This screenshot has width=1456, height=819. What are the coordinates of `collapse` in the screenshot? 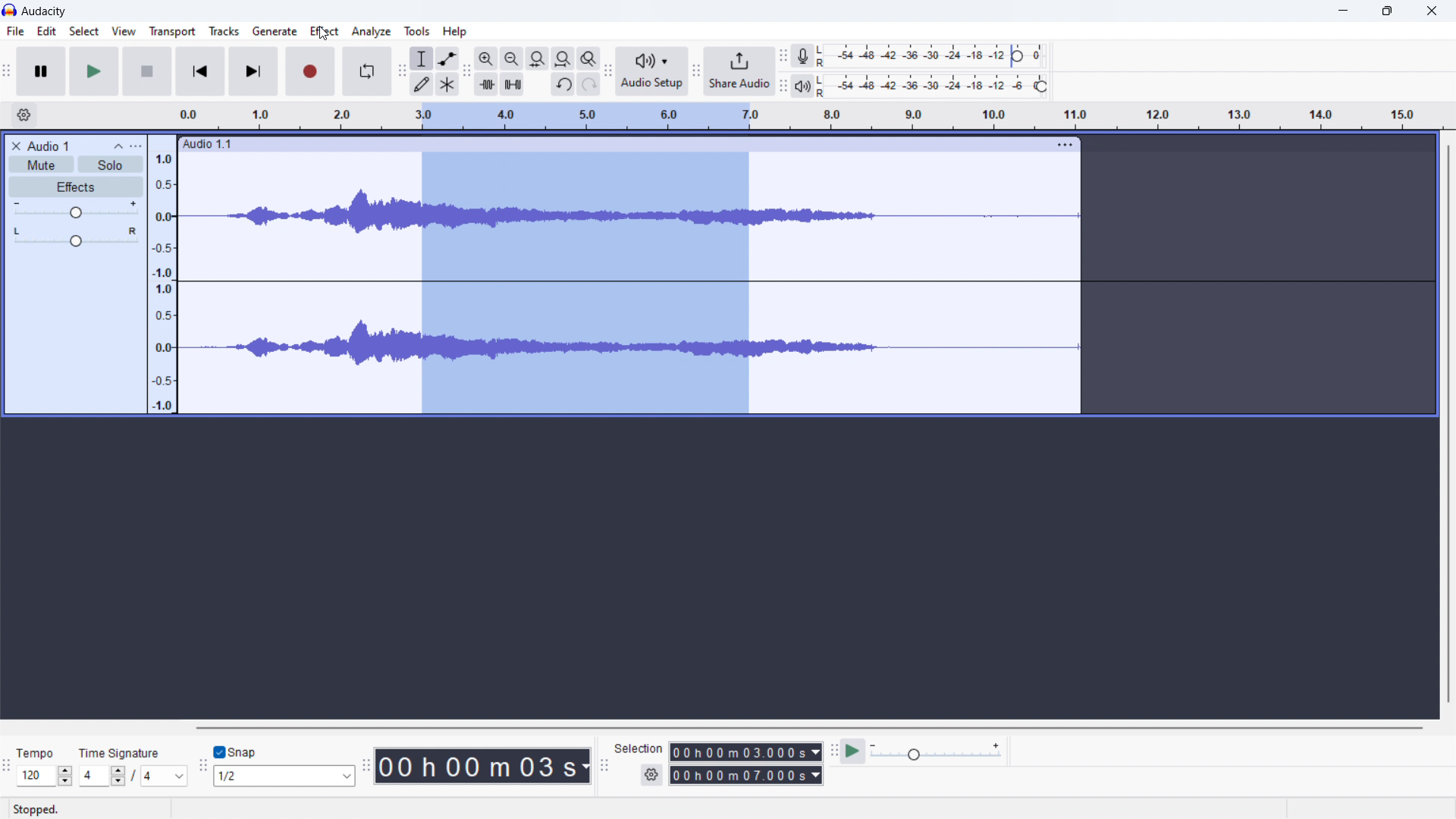 It's located at (118, 145).